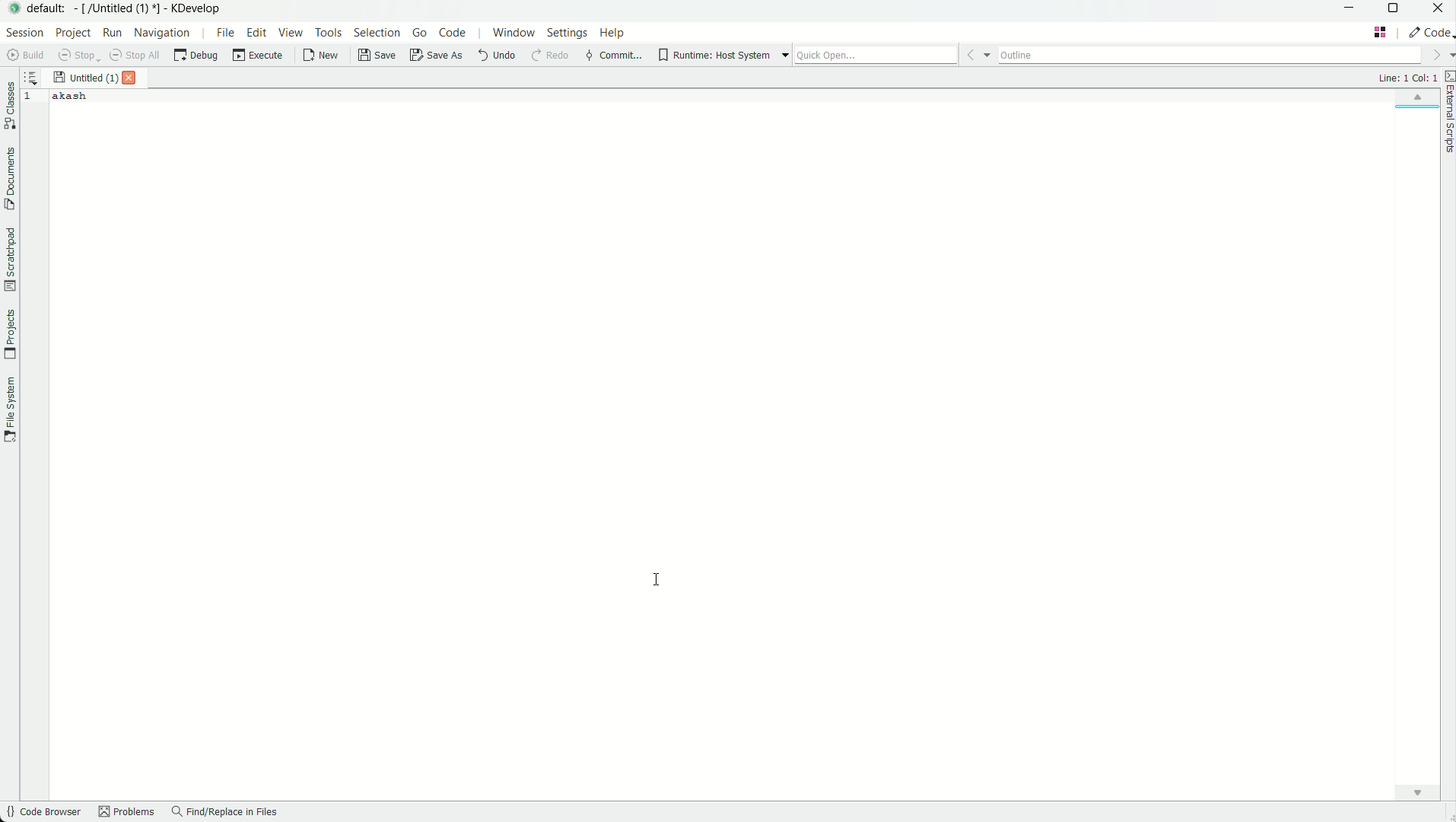 Image resolution: width=1456 pixels, height=822 pixels. Describe the element at coordinates (1407, 78) in the screenshot. I see `cursor positions` at that location.